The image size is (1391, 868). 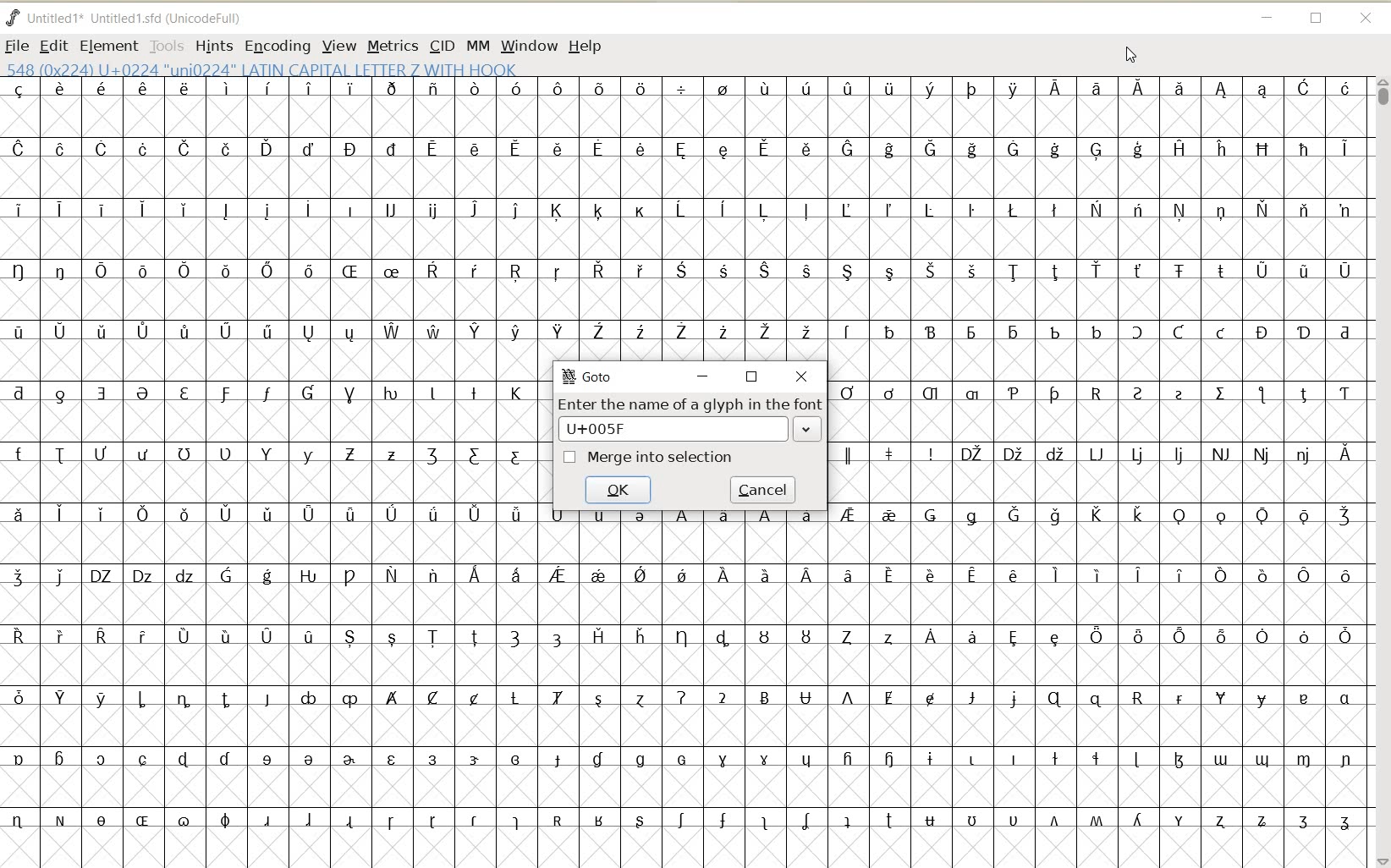 I want to click on merge into selection, so click(x=649, y=458).